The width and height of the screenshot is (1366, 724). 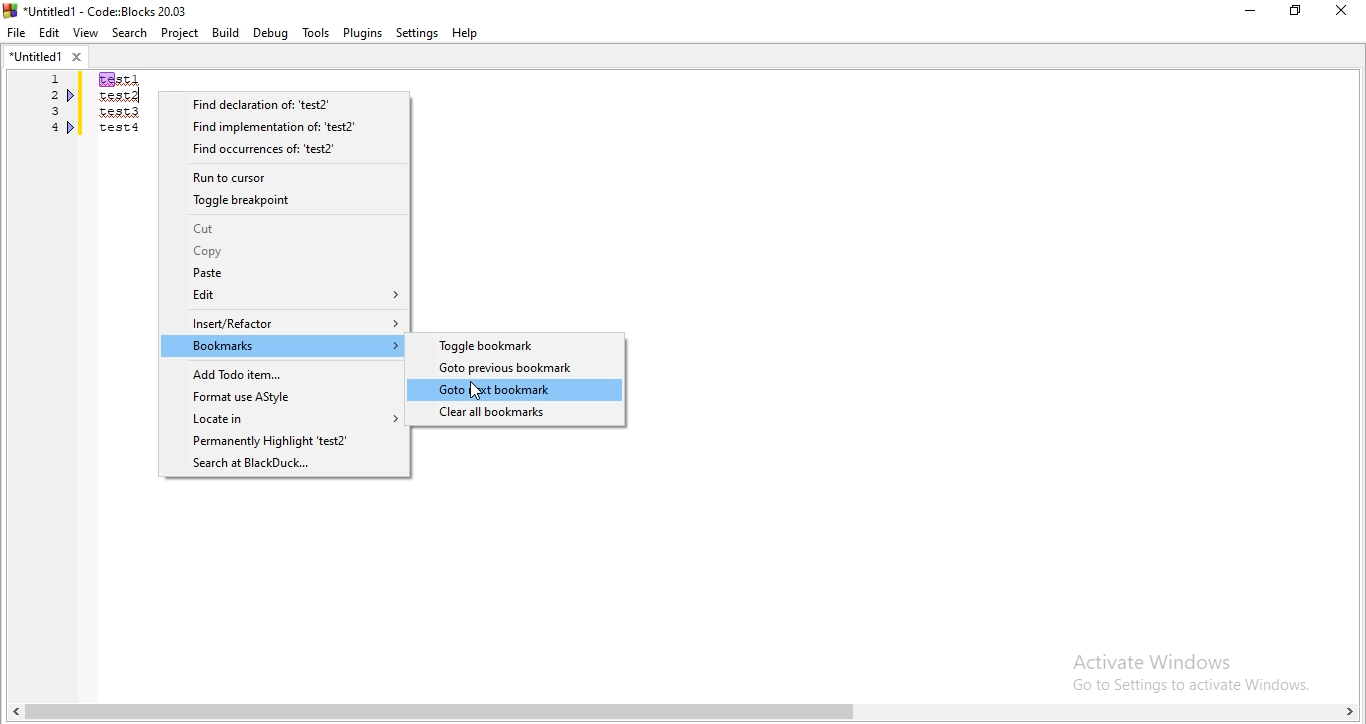 What do you see at coordinates (364, 33) in the screenshot?
I see `Plugins ` at bounding box center [364, 33].